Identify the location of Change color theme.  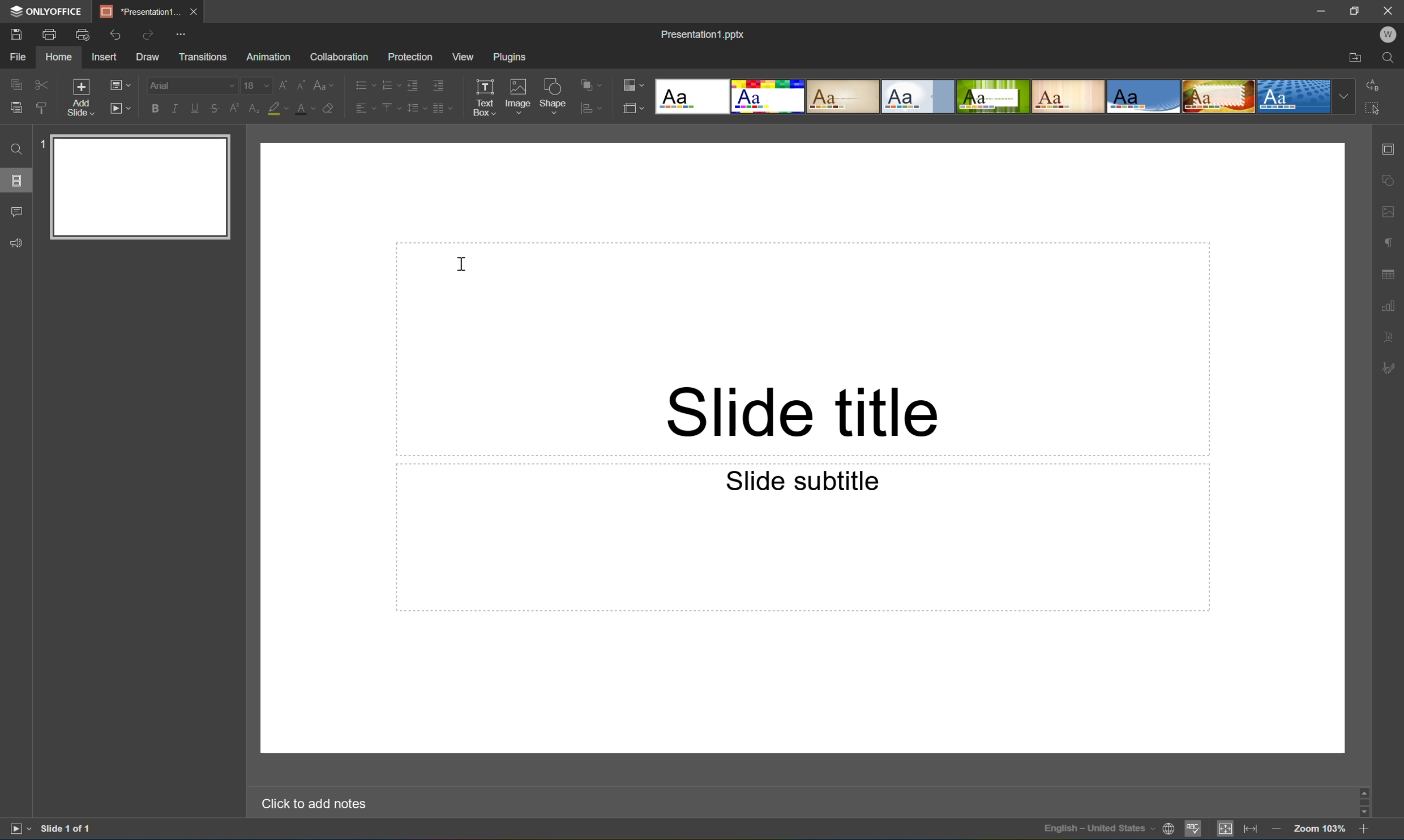
(632, 85).